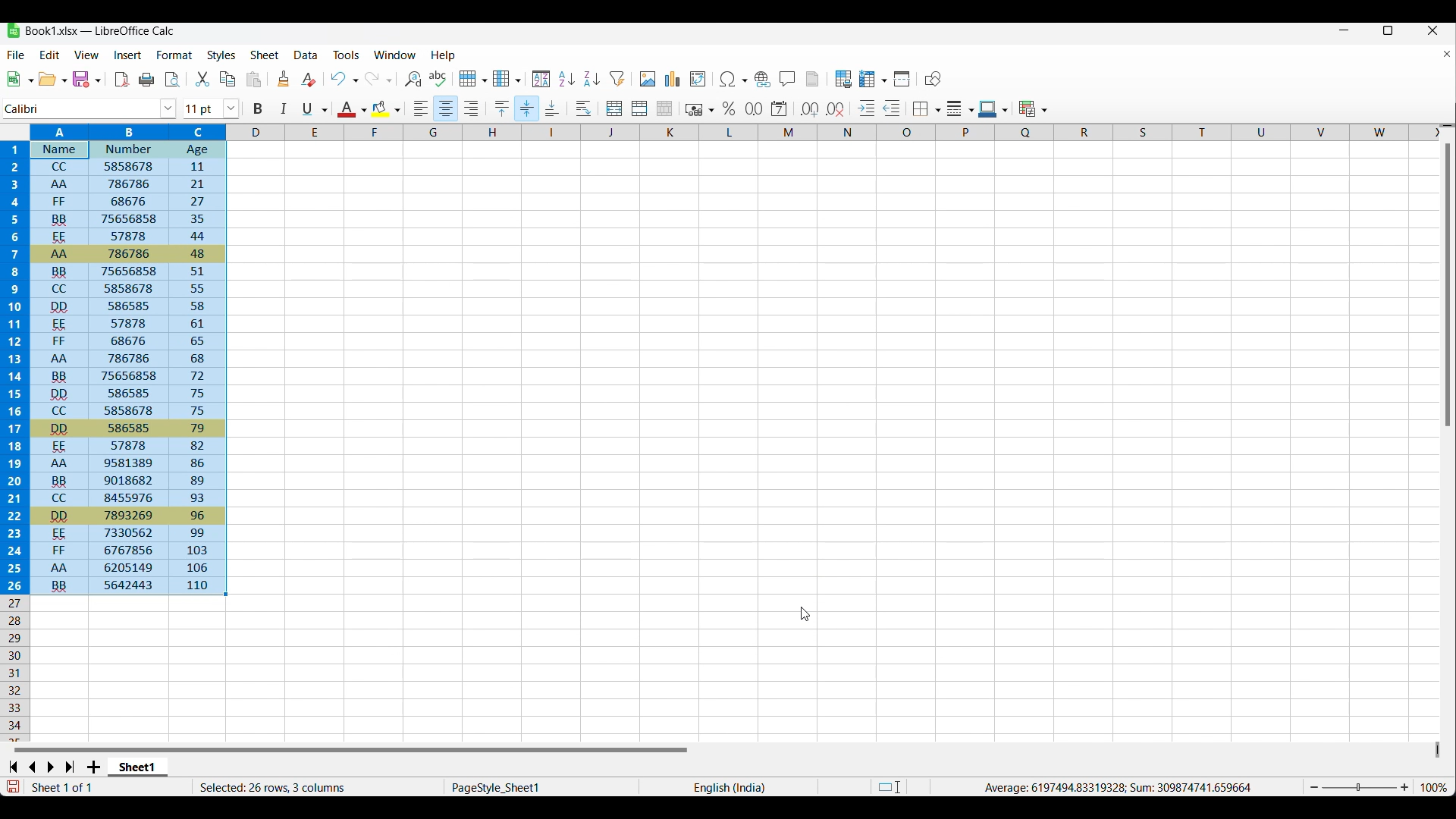 This screenshot has width=1456, height=819. Describe the element at coordinates (1438, 750) in the screenshot. I see `Quick slide` at that location.